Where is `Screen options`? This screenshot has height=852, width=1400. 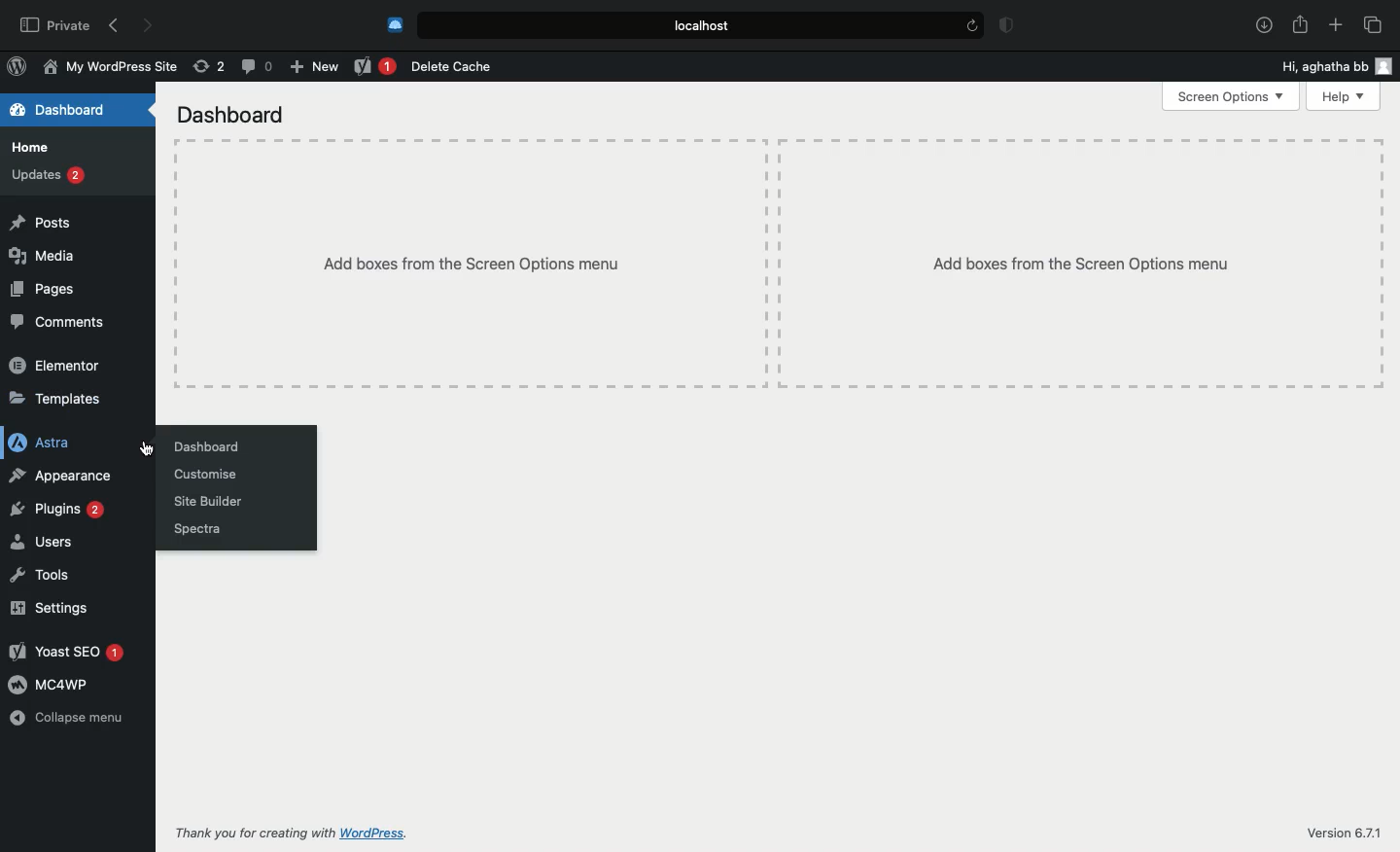
Screen options is located at coordinates (1232, 95).